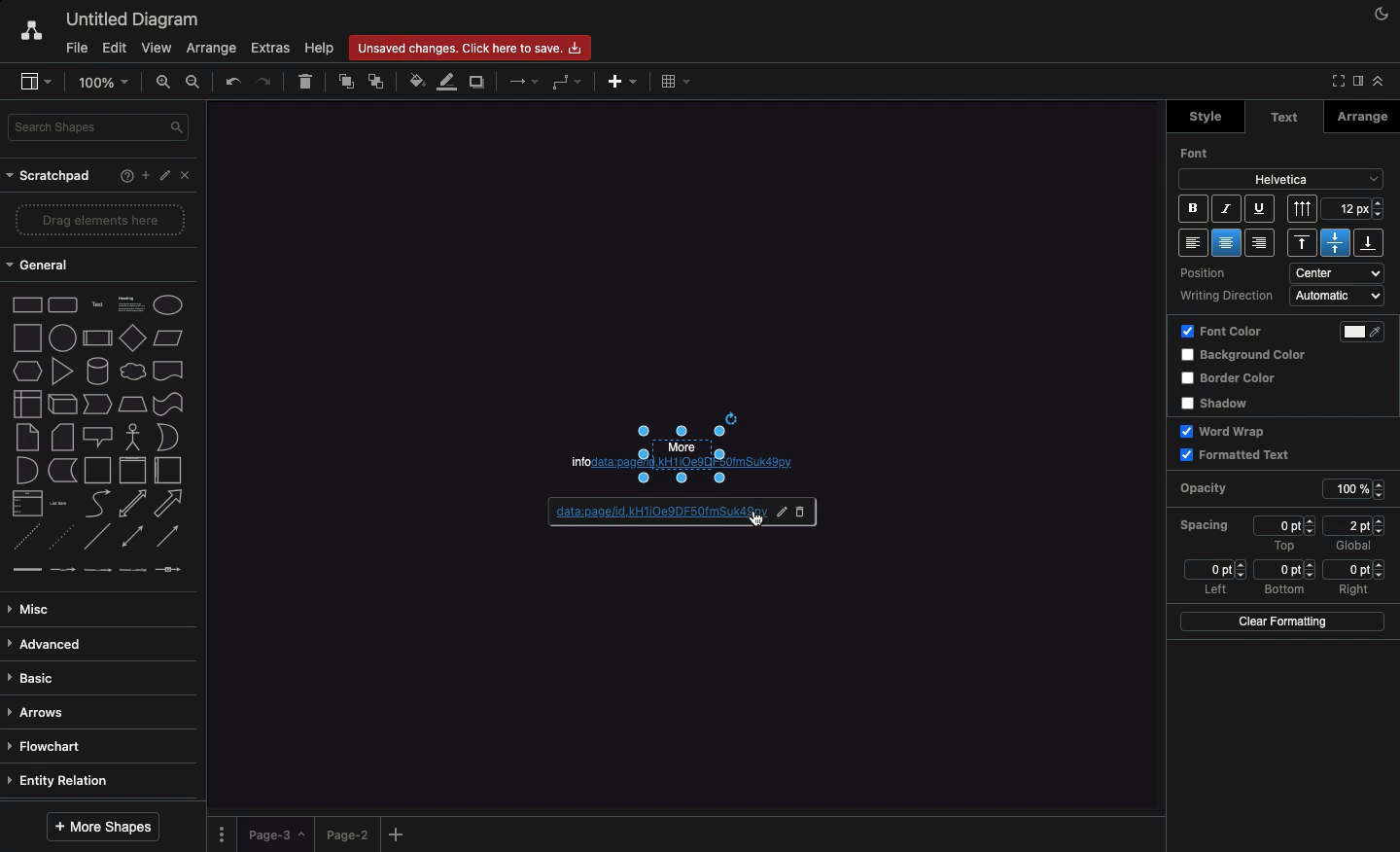  What do you see at coordinates (1216, 274) in the screenshot?
I see `Position` at bounding box center [1216, 274].